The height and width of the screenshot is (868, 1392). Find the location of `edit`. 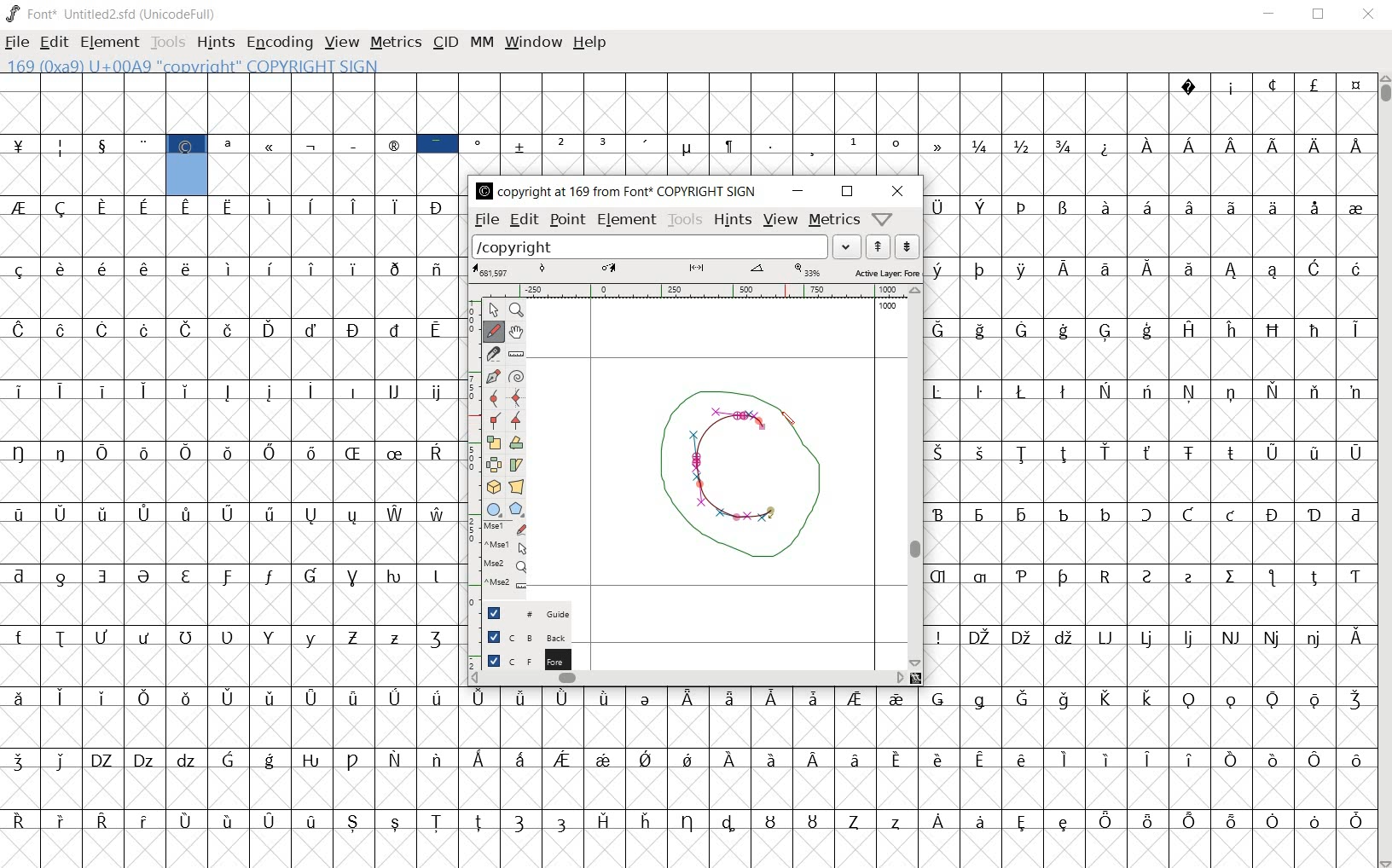

edit is located at coordinates (52, 40).